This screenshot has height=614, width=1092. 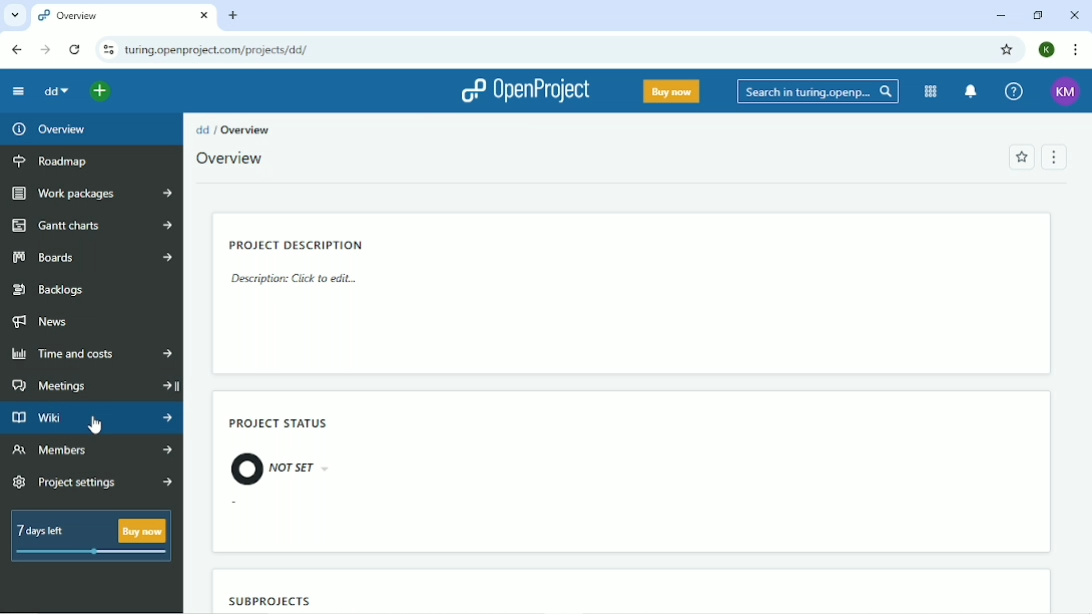 What do you see at coordinates (89, 538) in the screenshot?
I see `7 days left` at bounding box center [89, 538].